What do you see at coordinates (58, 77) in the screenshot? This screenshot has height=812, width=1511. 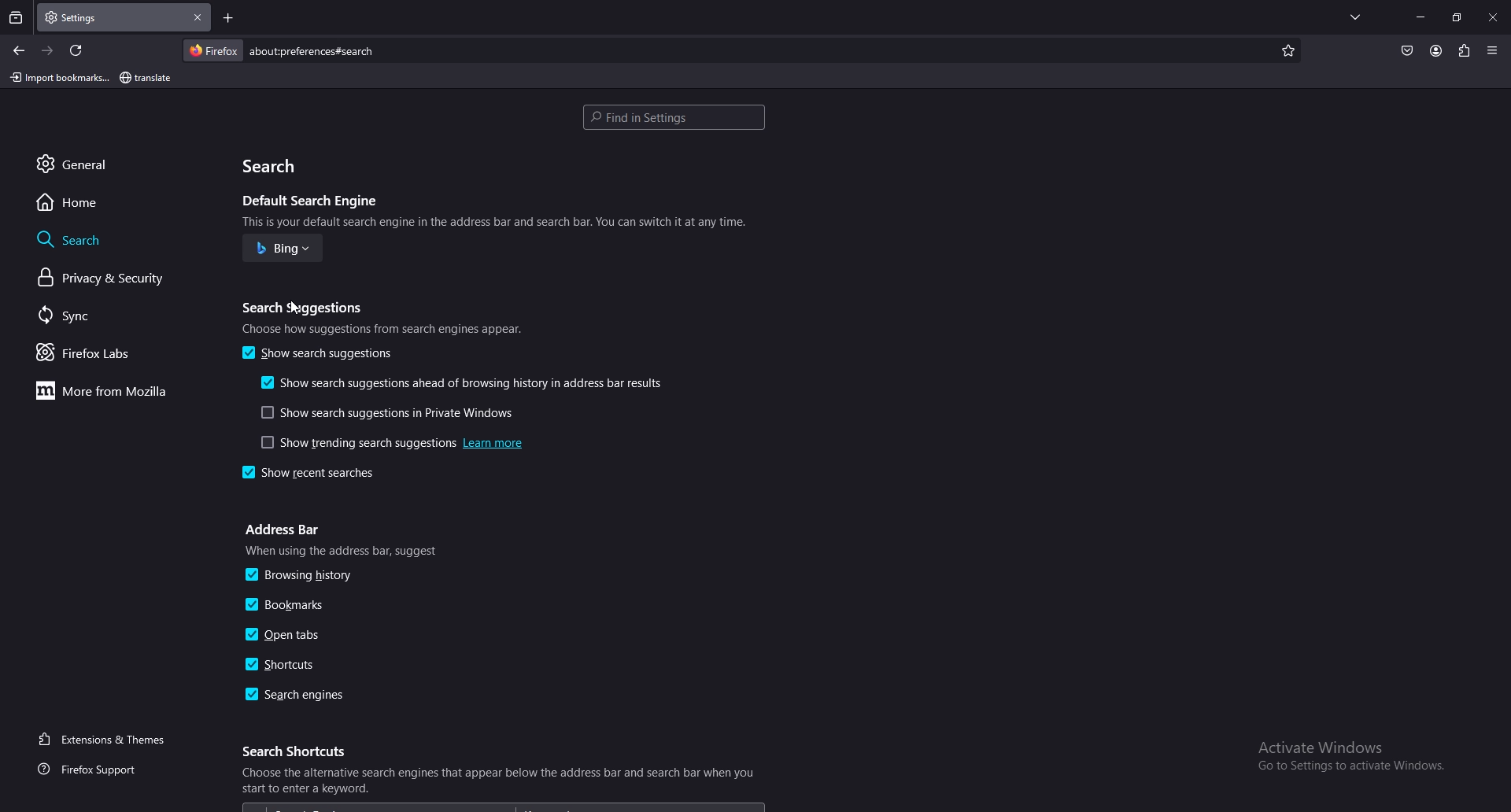 I see `import bookmark` at bounding box center [58, 77].